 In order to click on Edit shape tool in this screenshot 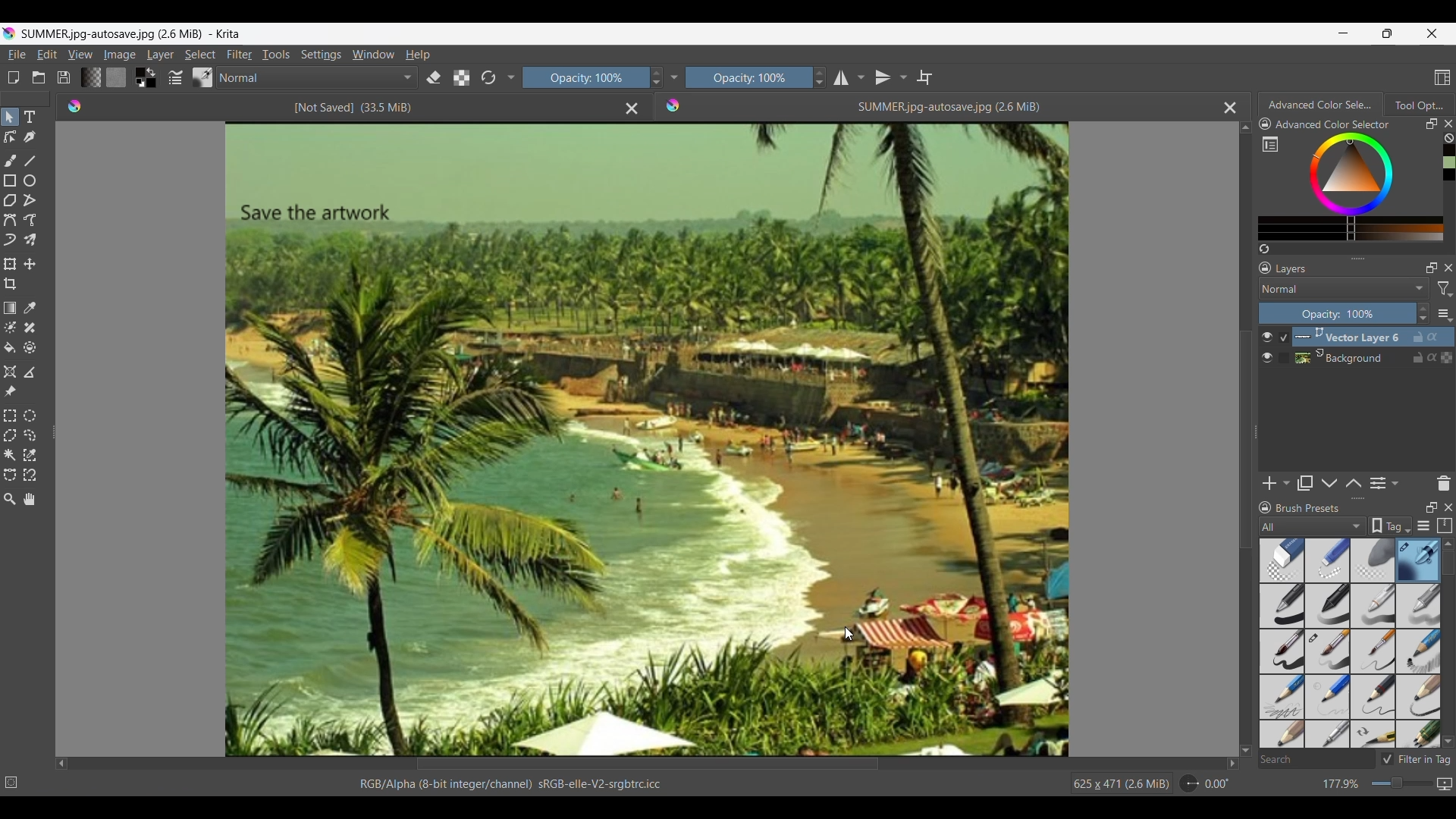, I will do `click(10, 137)`.